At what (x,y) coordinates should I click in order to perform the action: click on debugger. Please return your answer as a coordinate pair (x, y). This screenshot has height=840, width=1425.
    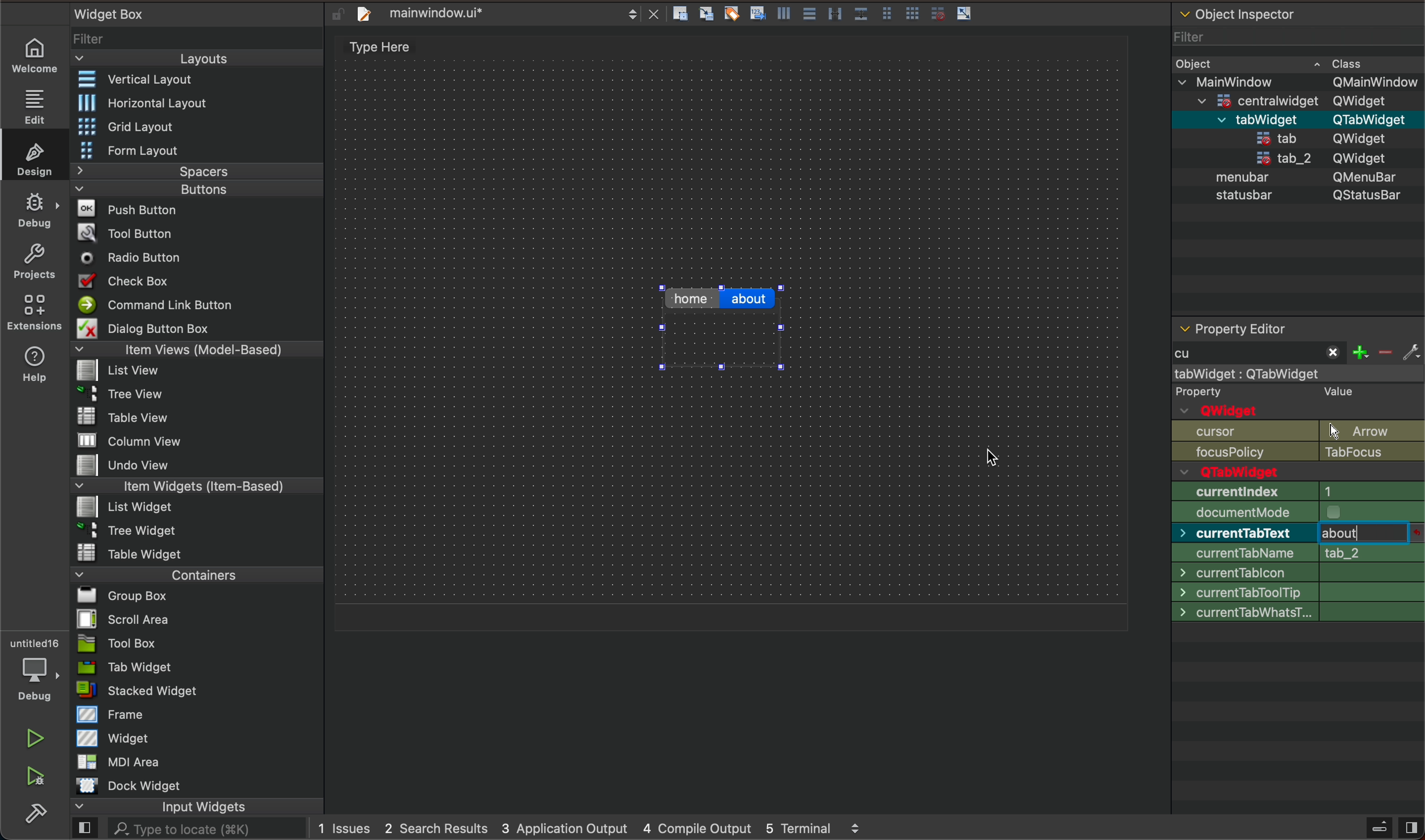
    Looking at the image, I should click on (32, 666).